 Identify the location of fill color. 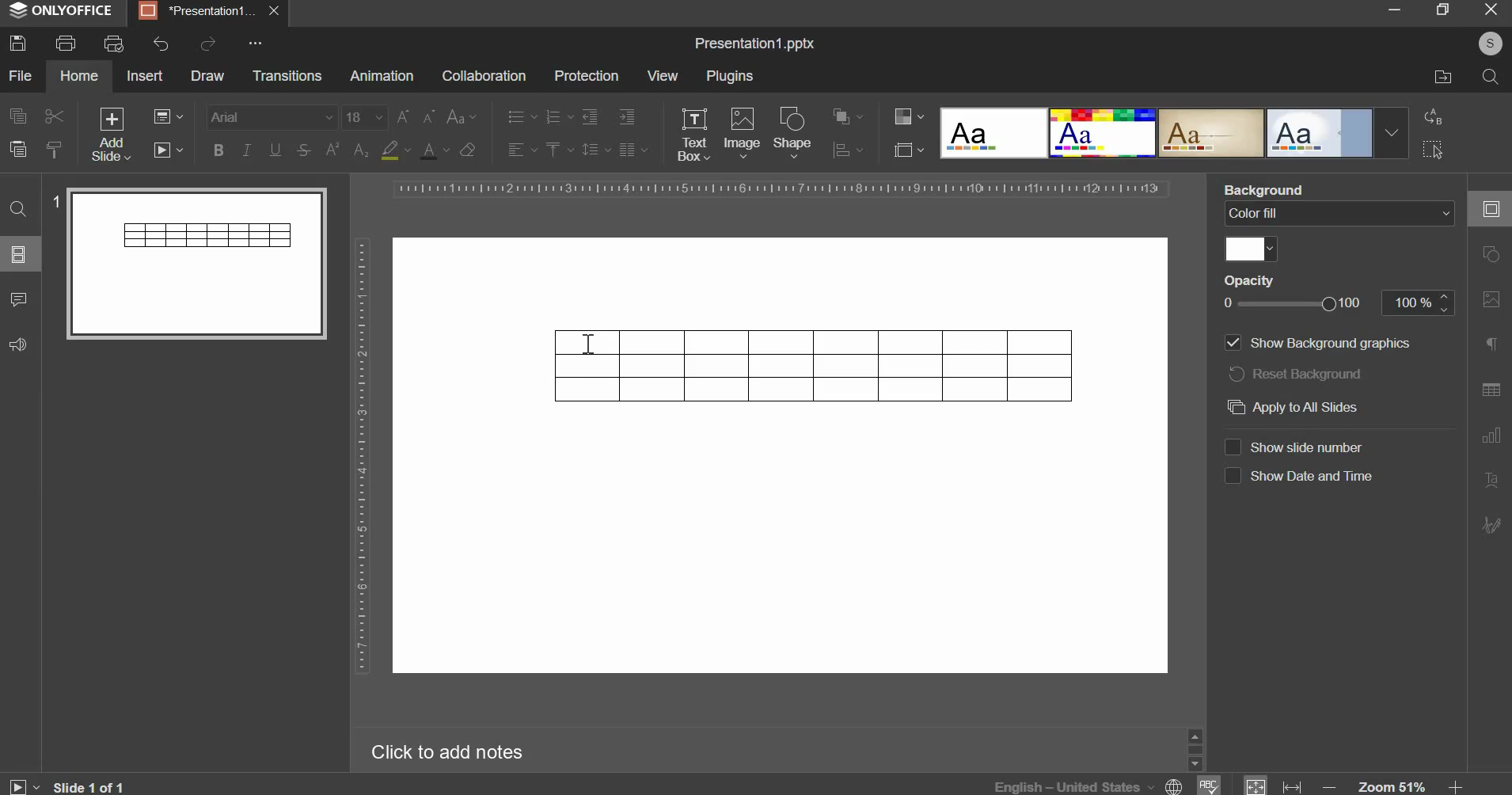
(394, 150).